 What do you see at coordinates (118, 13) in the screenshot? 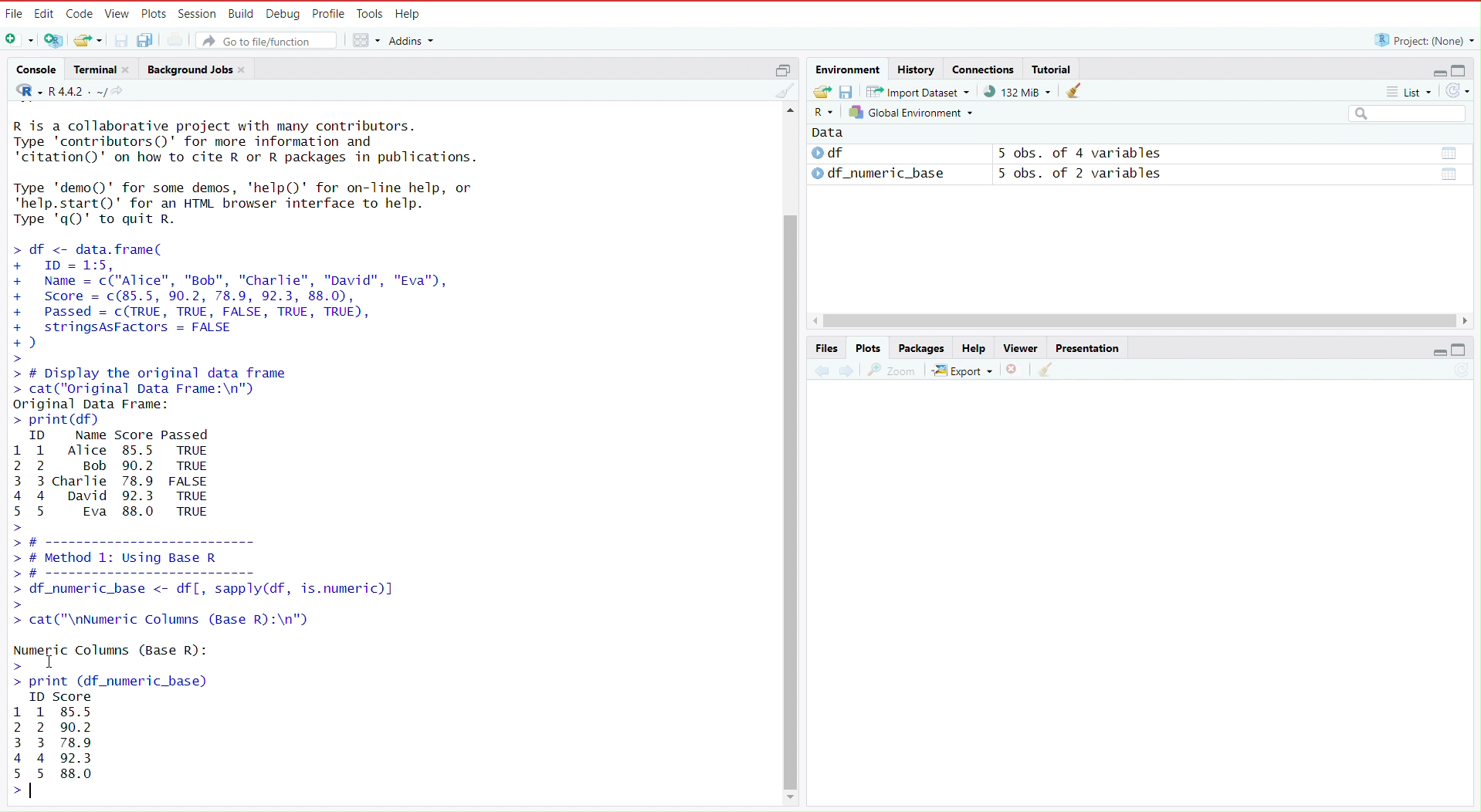
I see `View` at bounding box center [118, 13].